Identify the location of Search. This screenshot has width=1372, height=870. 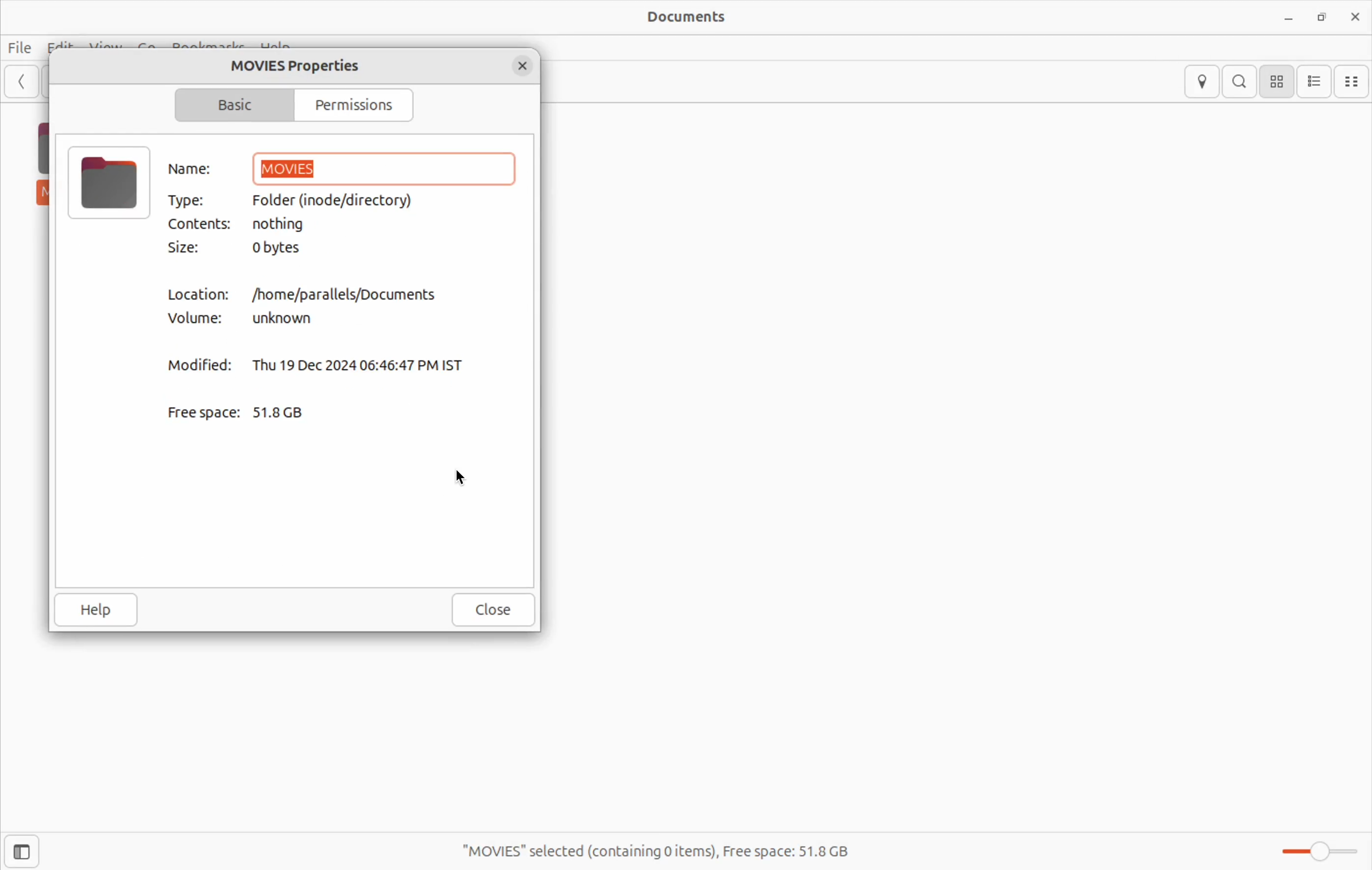
(1241, 82).